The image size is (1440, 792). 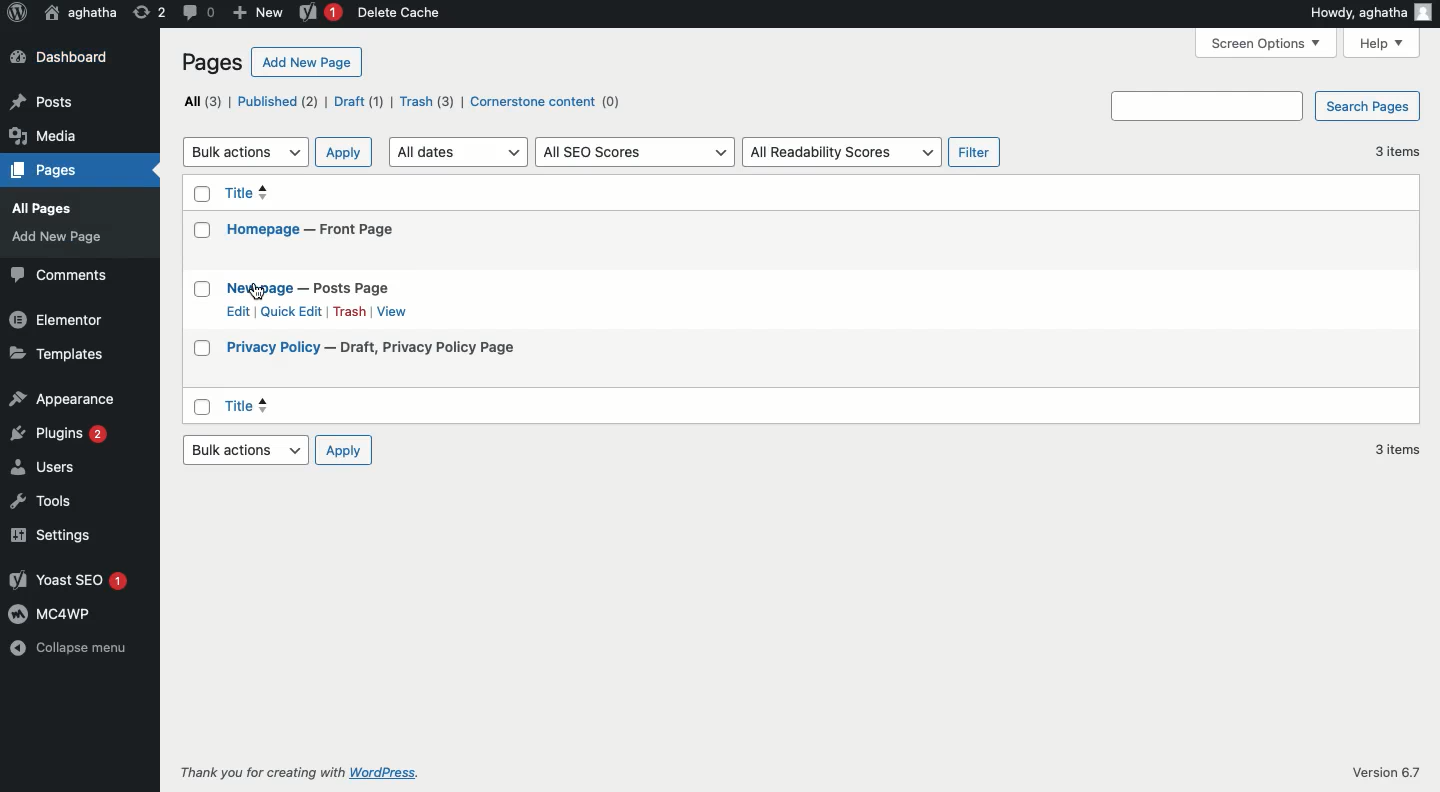 What do you see at coordinates (74, 648) in the screenshot?
I see `Collapse menu` at bounding box center [74, 648].